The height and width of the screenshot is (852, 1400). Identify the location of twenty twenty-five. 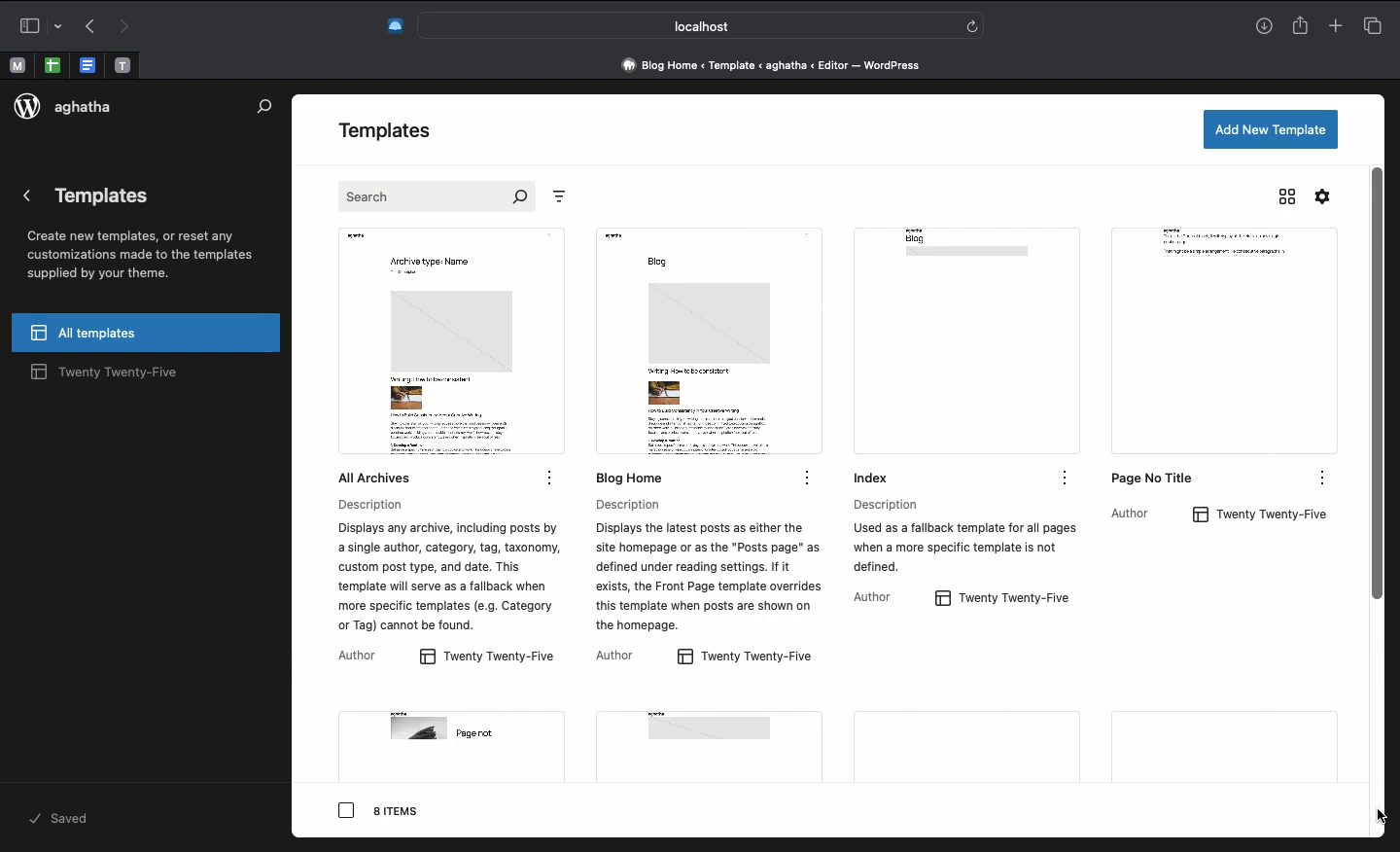
(749, 659).